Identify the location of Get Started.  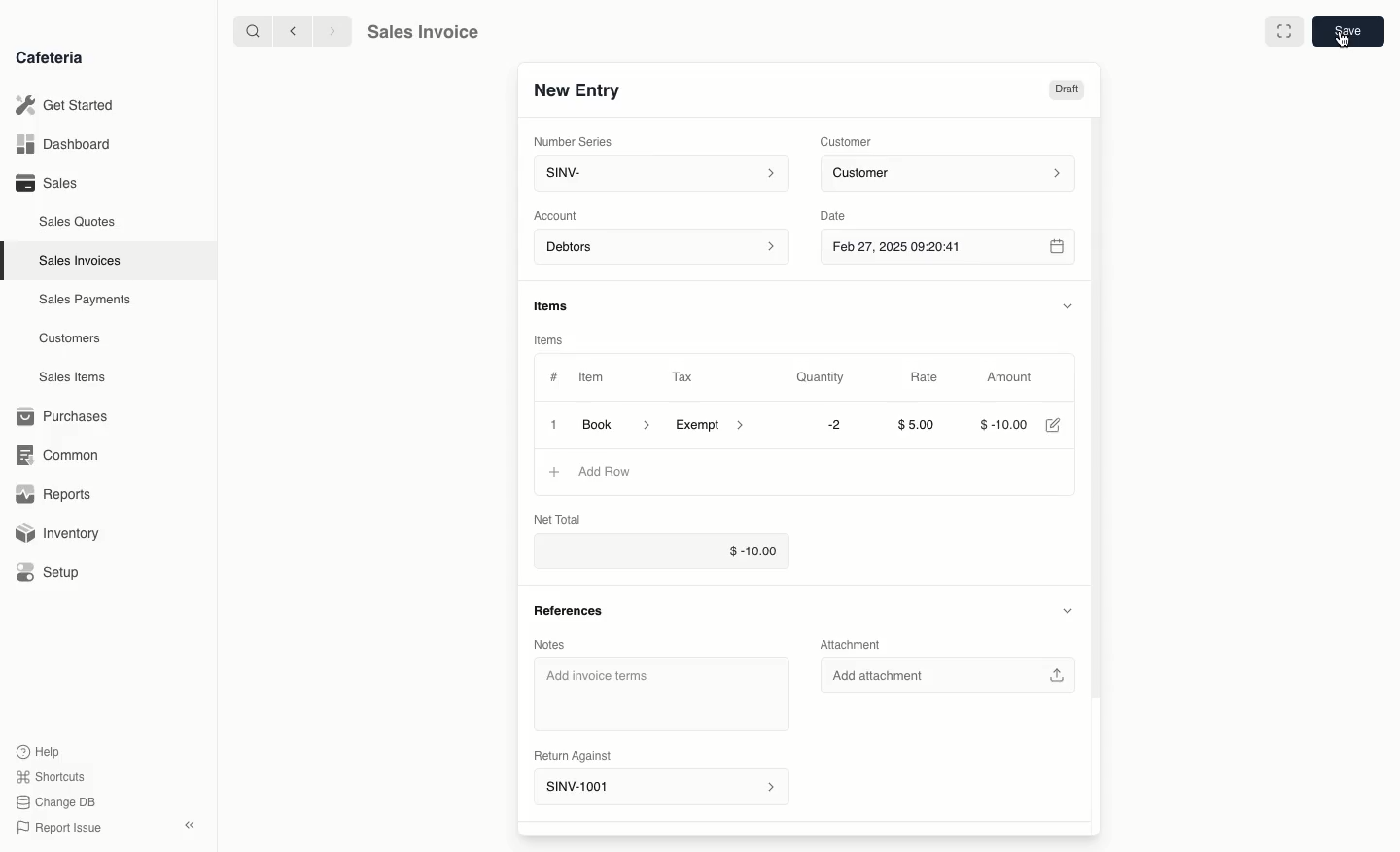
(65, 104).